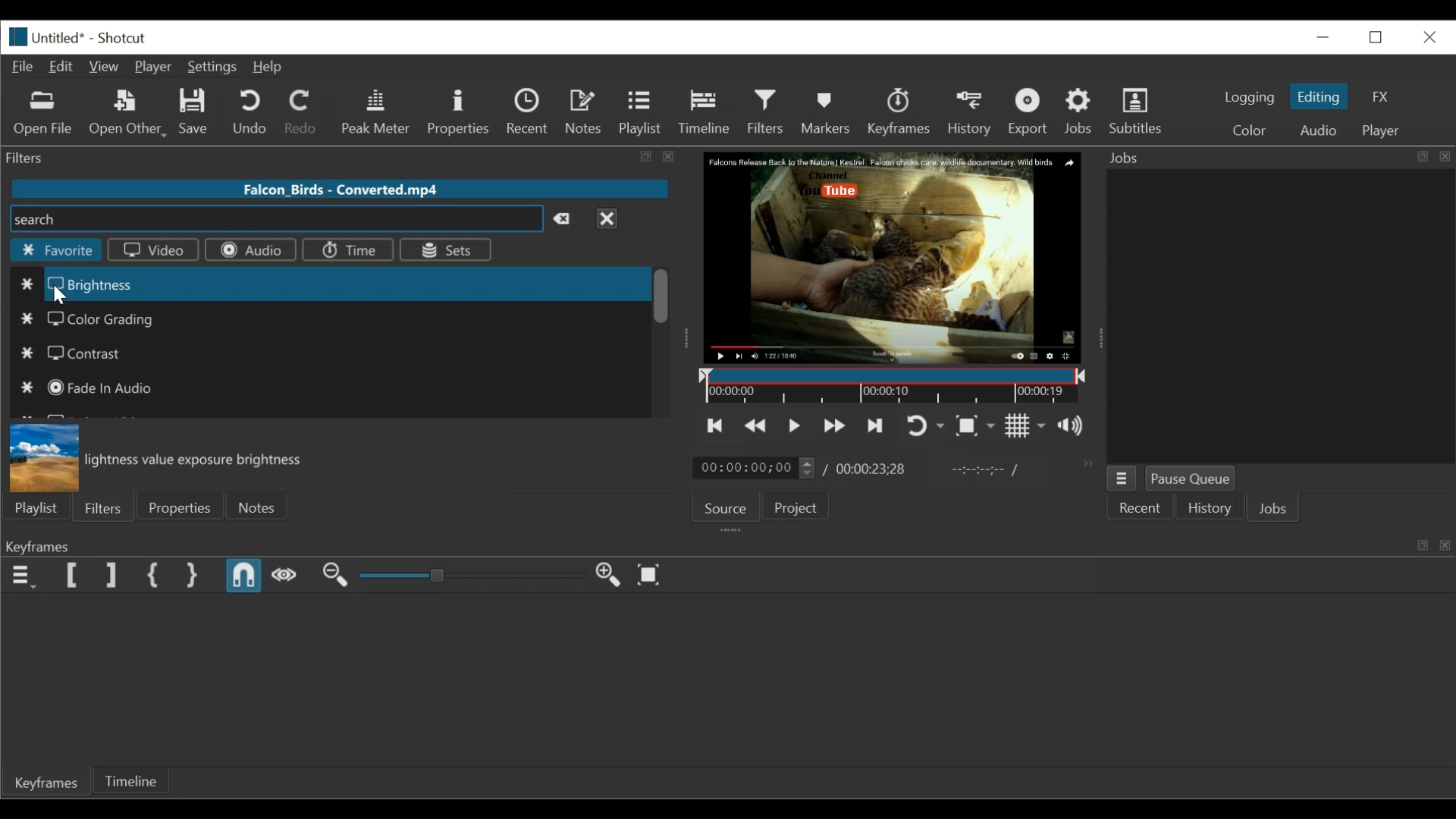 Image resolution: width=1456 pixels, height=819 pixels. What do you see at coordinates (1136, 111) in the screenshot?
I see `Subtitles` at bounding box center [1136, 111].